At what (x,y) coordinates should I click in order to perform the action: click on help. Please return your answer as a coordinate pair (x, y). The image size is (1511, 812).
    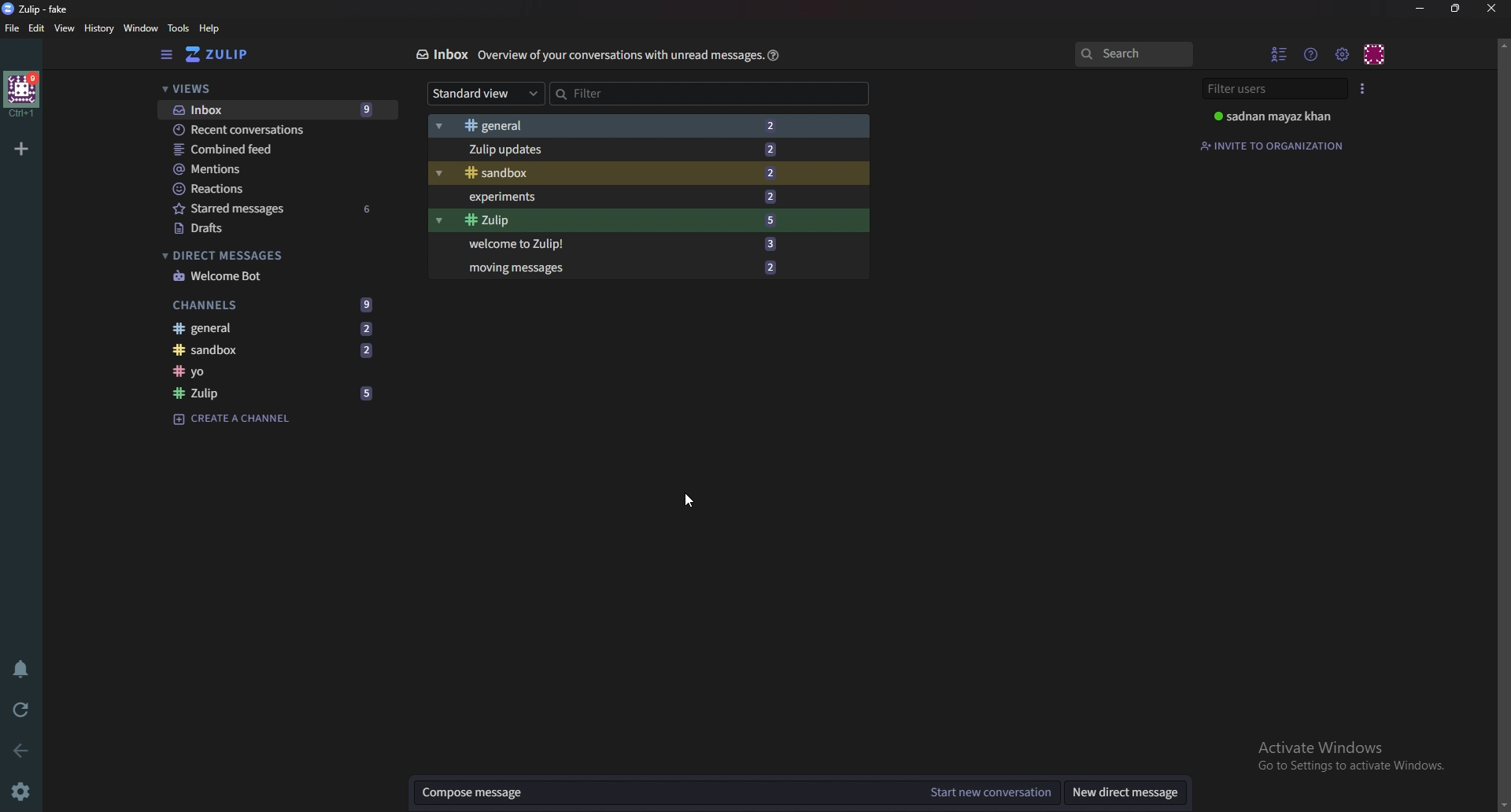
    Looking at the image, I should click on (774, 56).